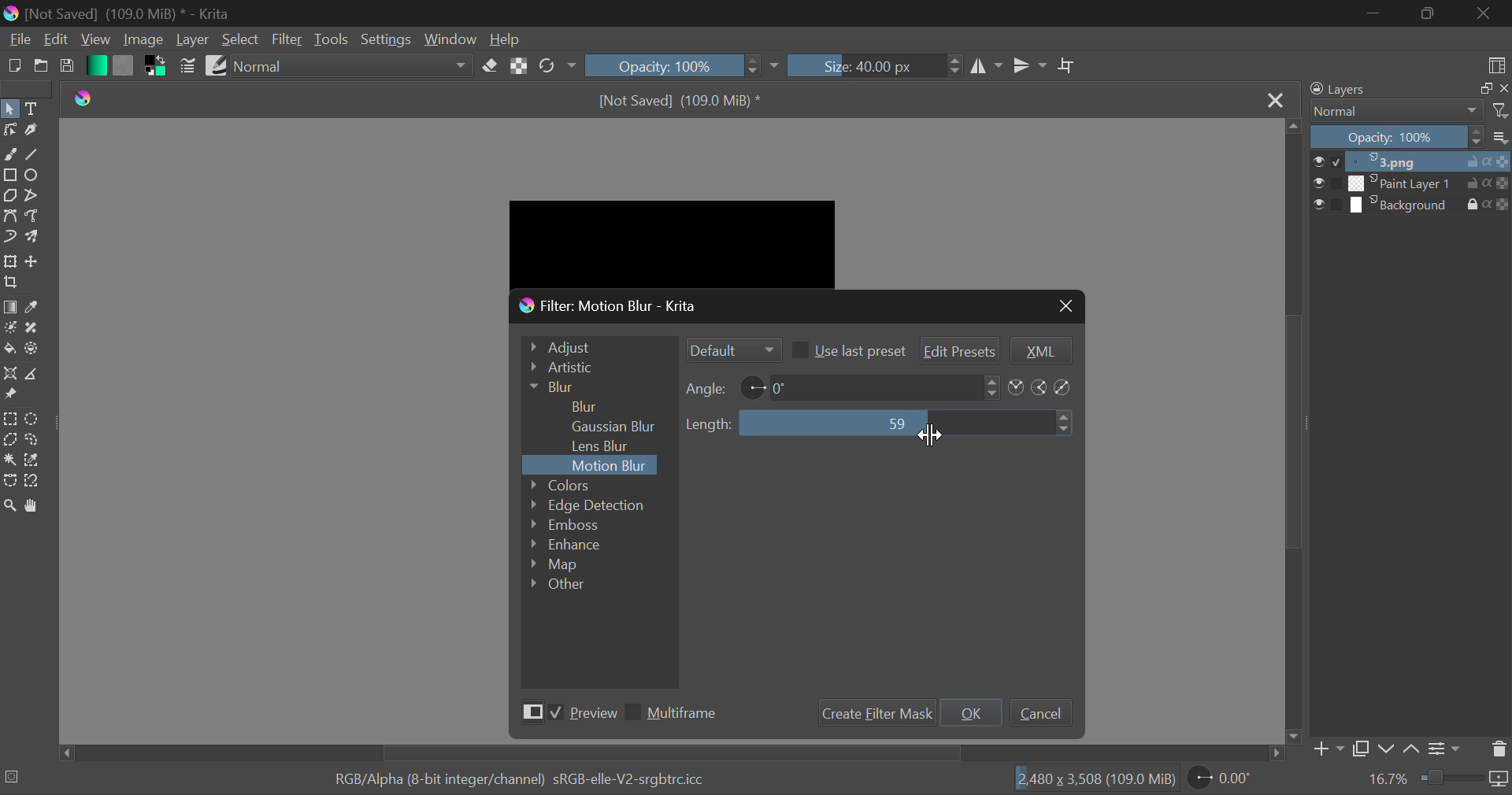  I want to click on Reference Images, so click(10, 397).